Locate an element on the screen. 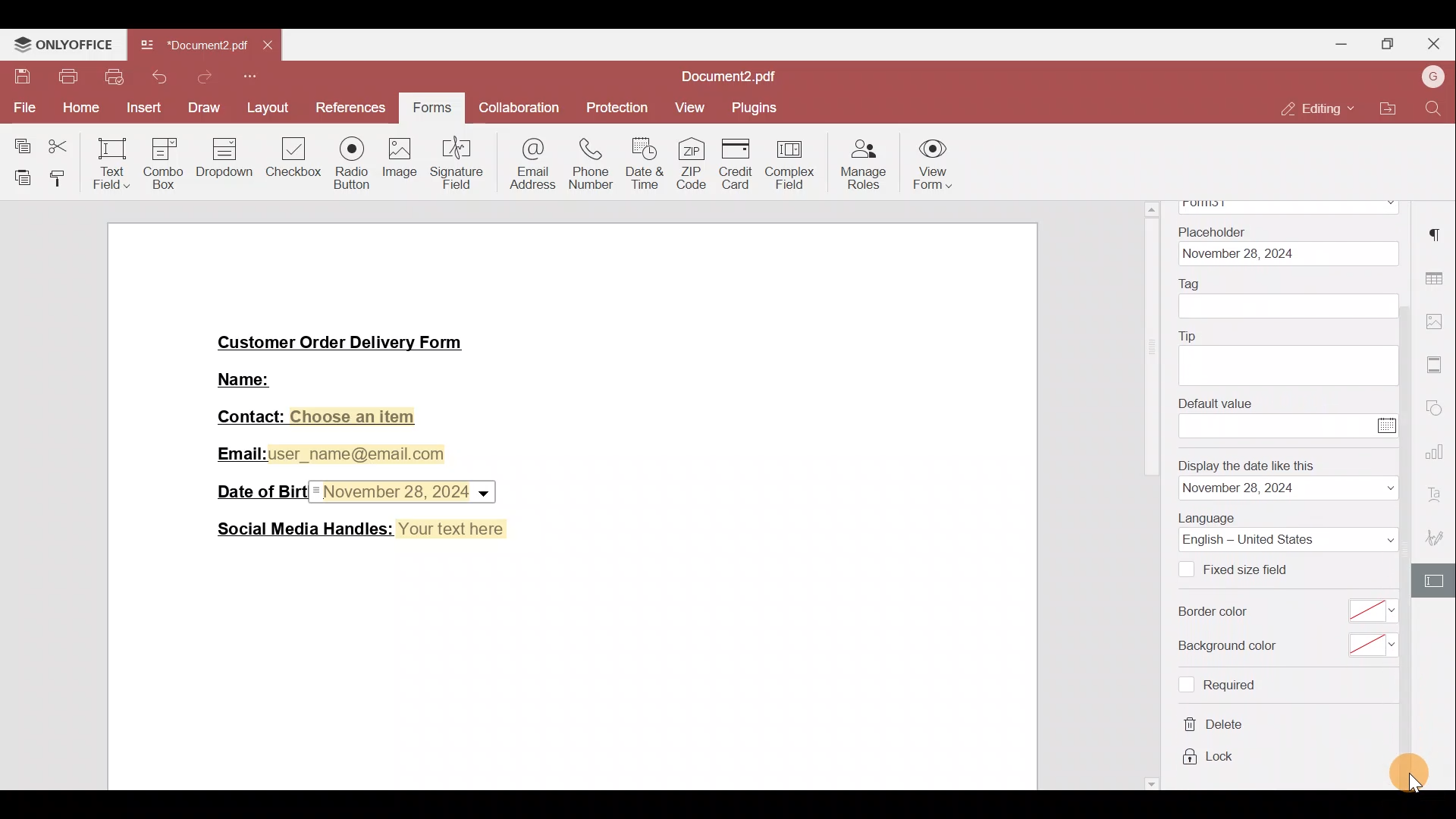 This screenshot has width=1456, height=819. Language  is located at coordinates (1287, 538).